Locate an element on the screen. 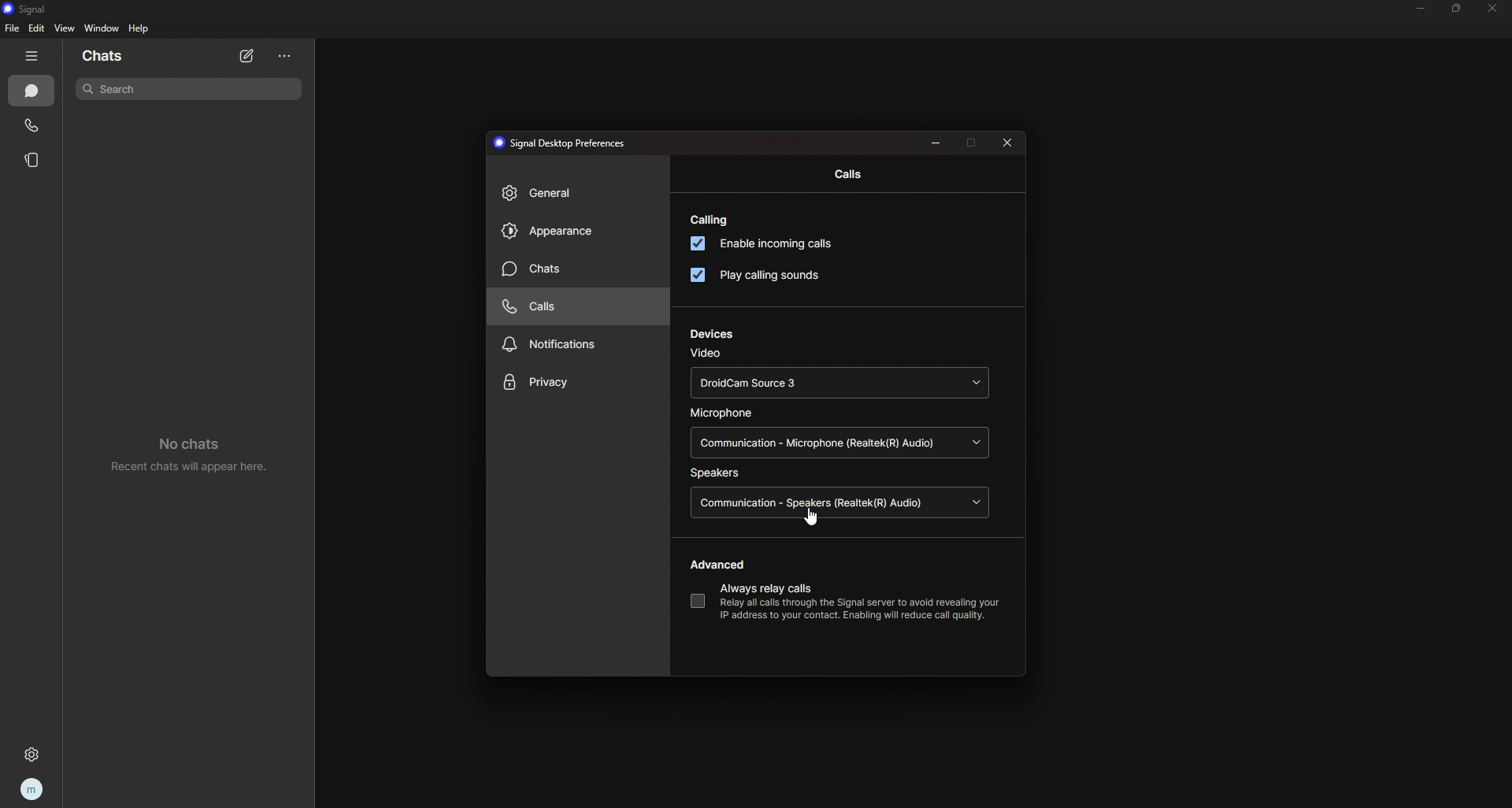  minimize is located at coordinates (936, 143).